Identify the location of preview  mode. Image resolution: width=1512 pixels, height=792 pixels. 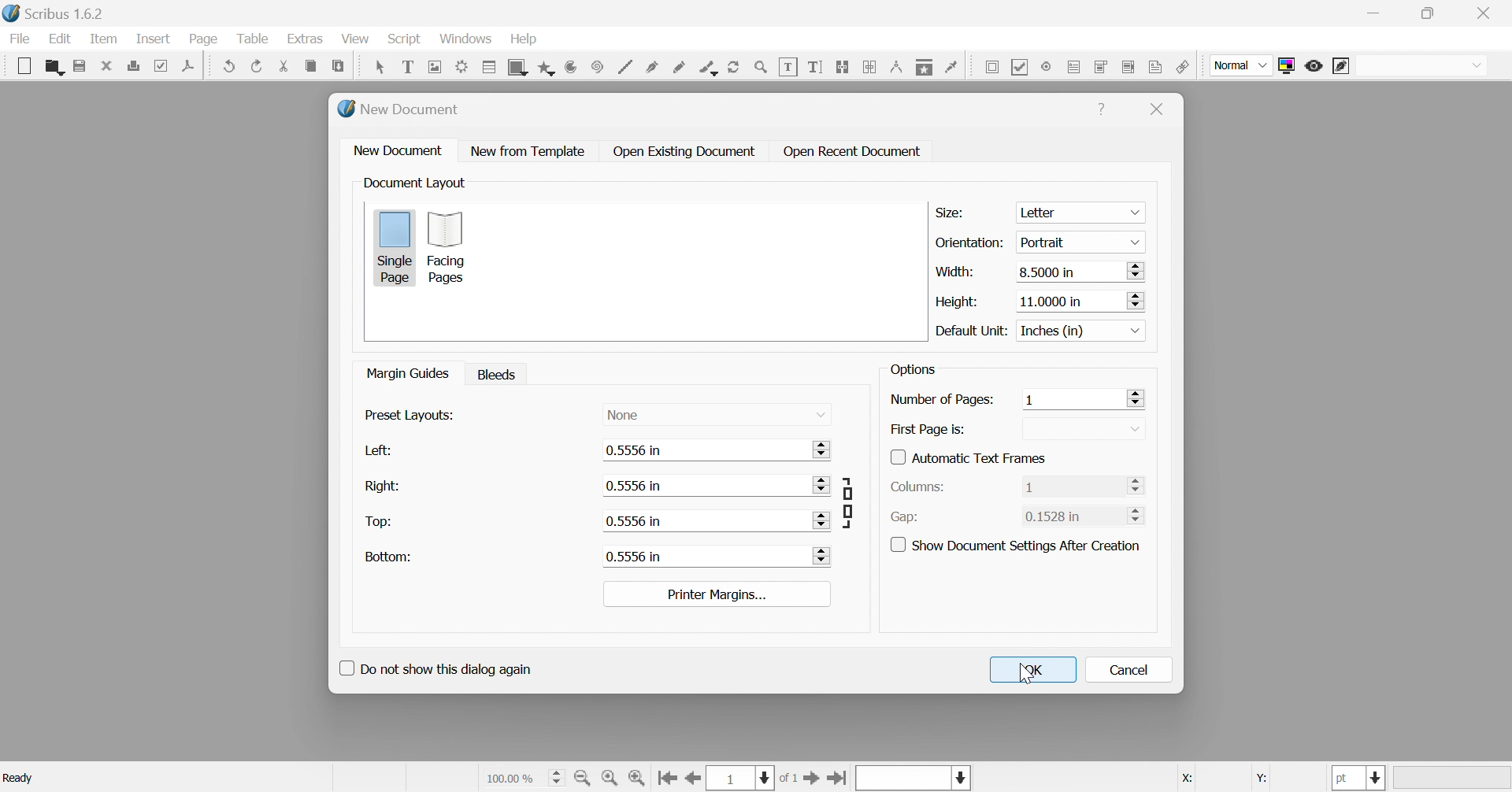
(1314, 66).